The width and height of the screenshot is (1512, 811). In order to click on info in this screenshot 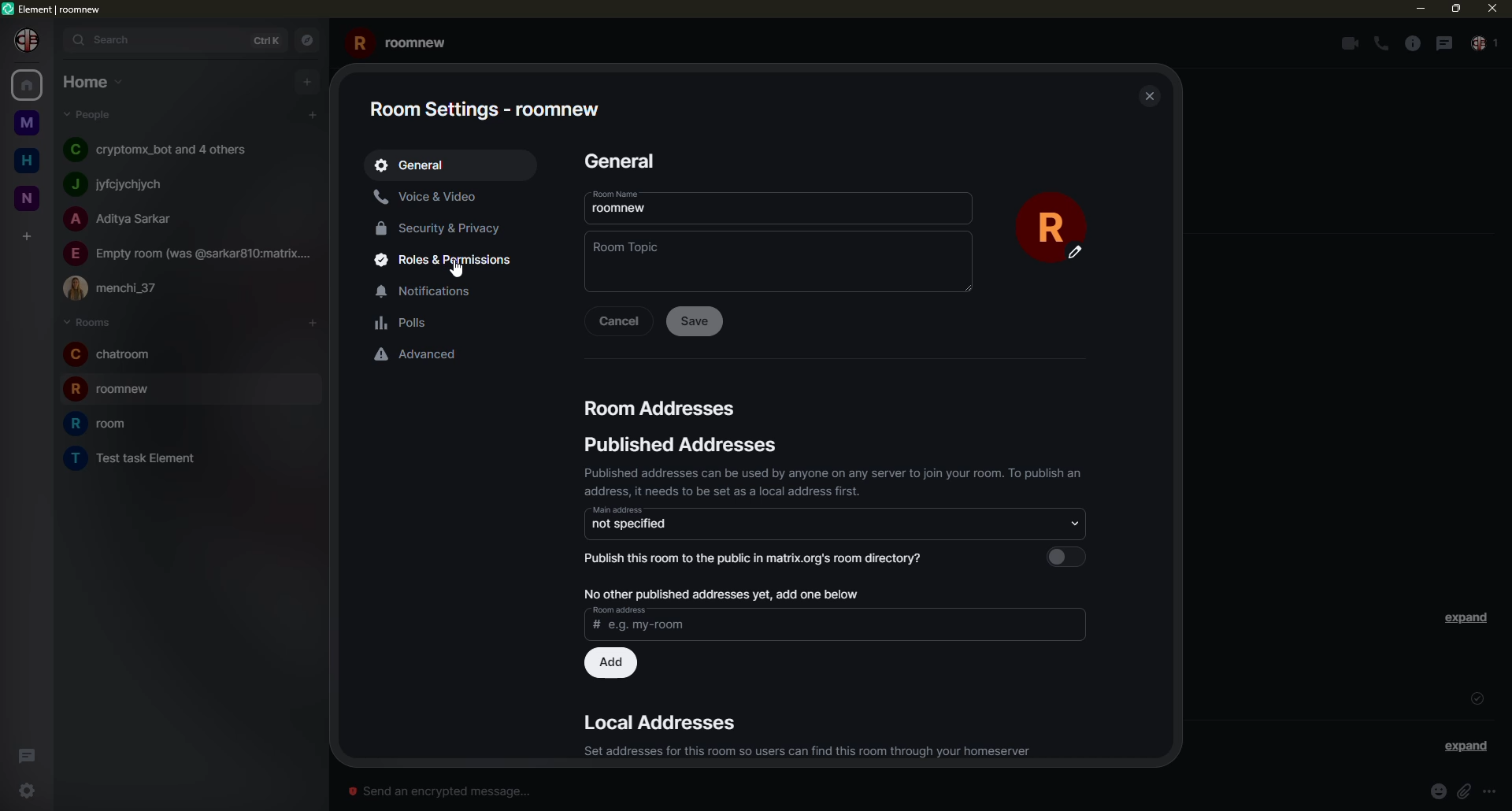, I will do `click(1410, 43)`.